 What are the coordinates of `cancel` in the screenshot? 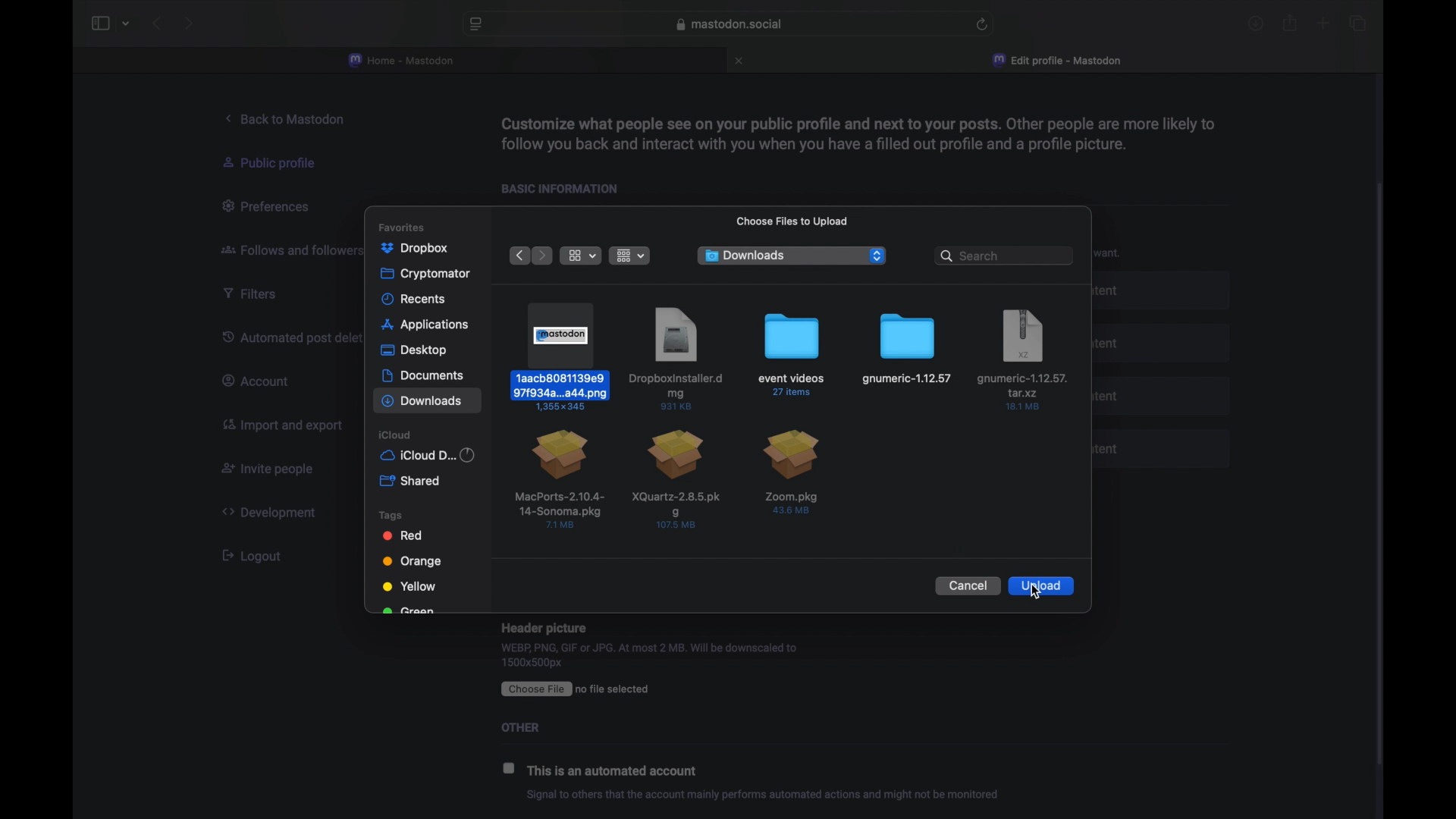 It's located at (966, 585).